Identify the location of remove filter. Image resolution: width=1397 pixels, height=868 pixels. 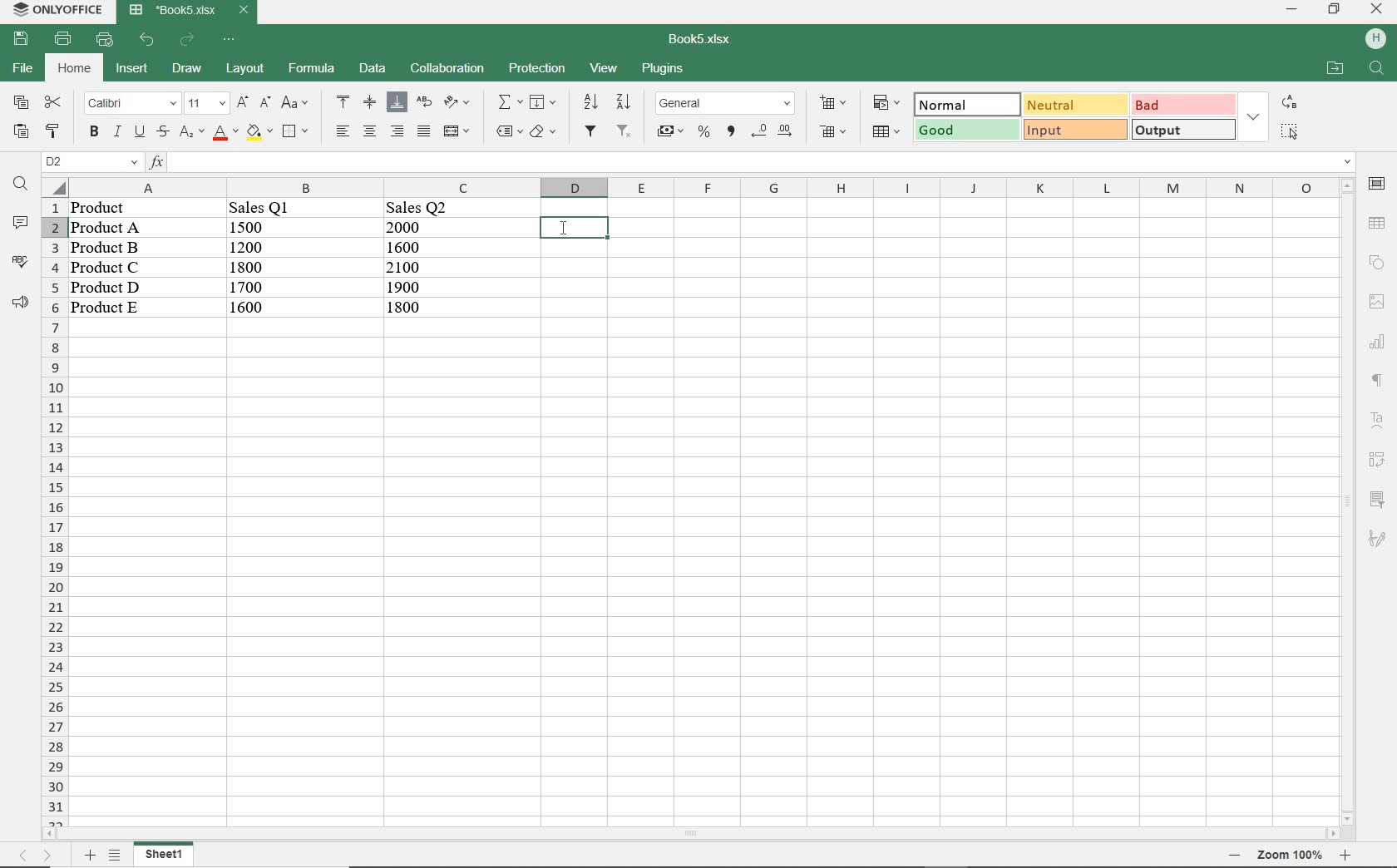
(627, 131).